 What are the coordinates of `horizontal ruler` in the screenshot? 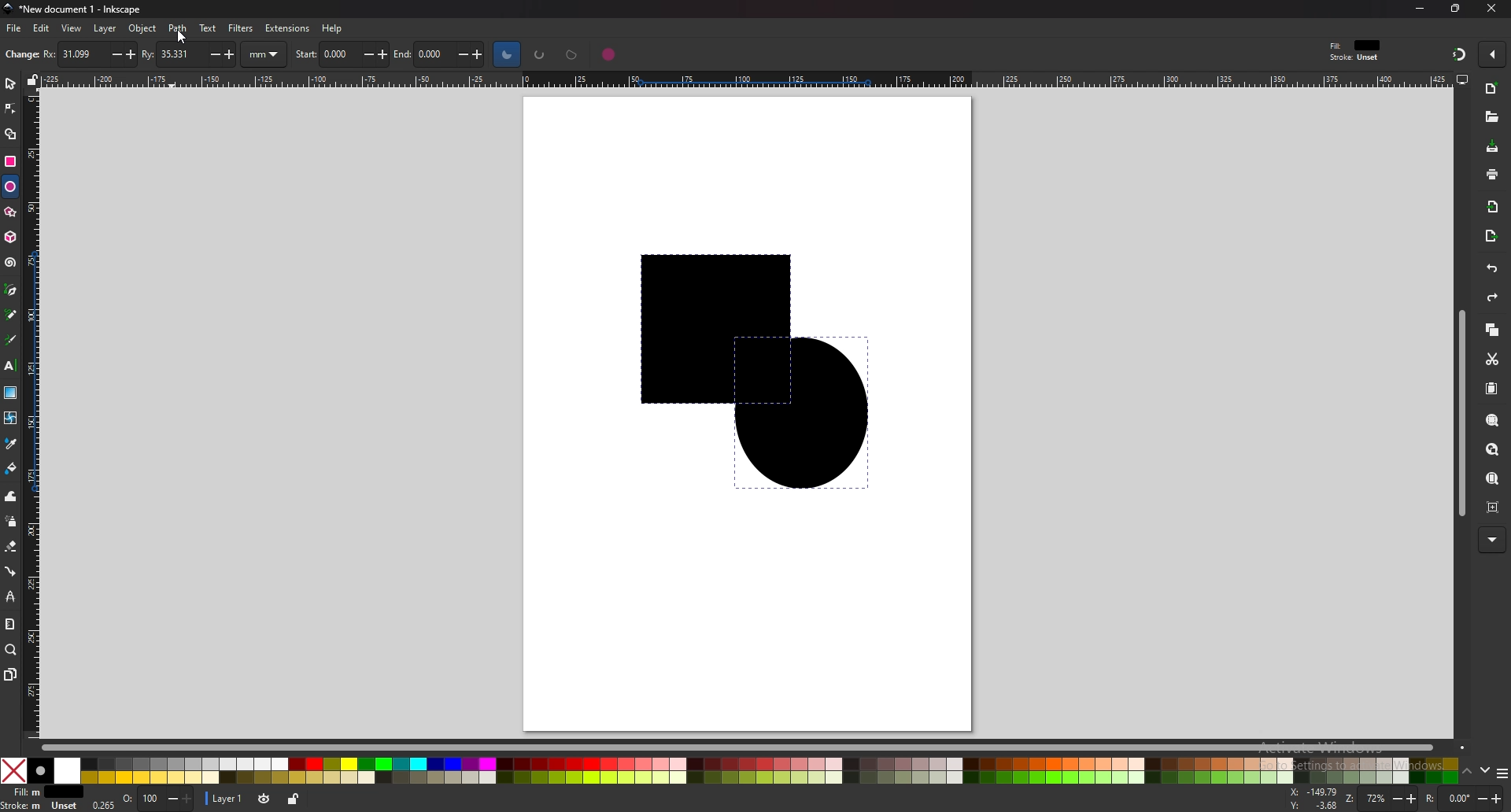 It's located at (739, 79).